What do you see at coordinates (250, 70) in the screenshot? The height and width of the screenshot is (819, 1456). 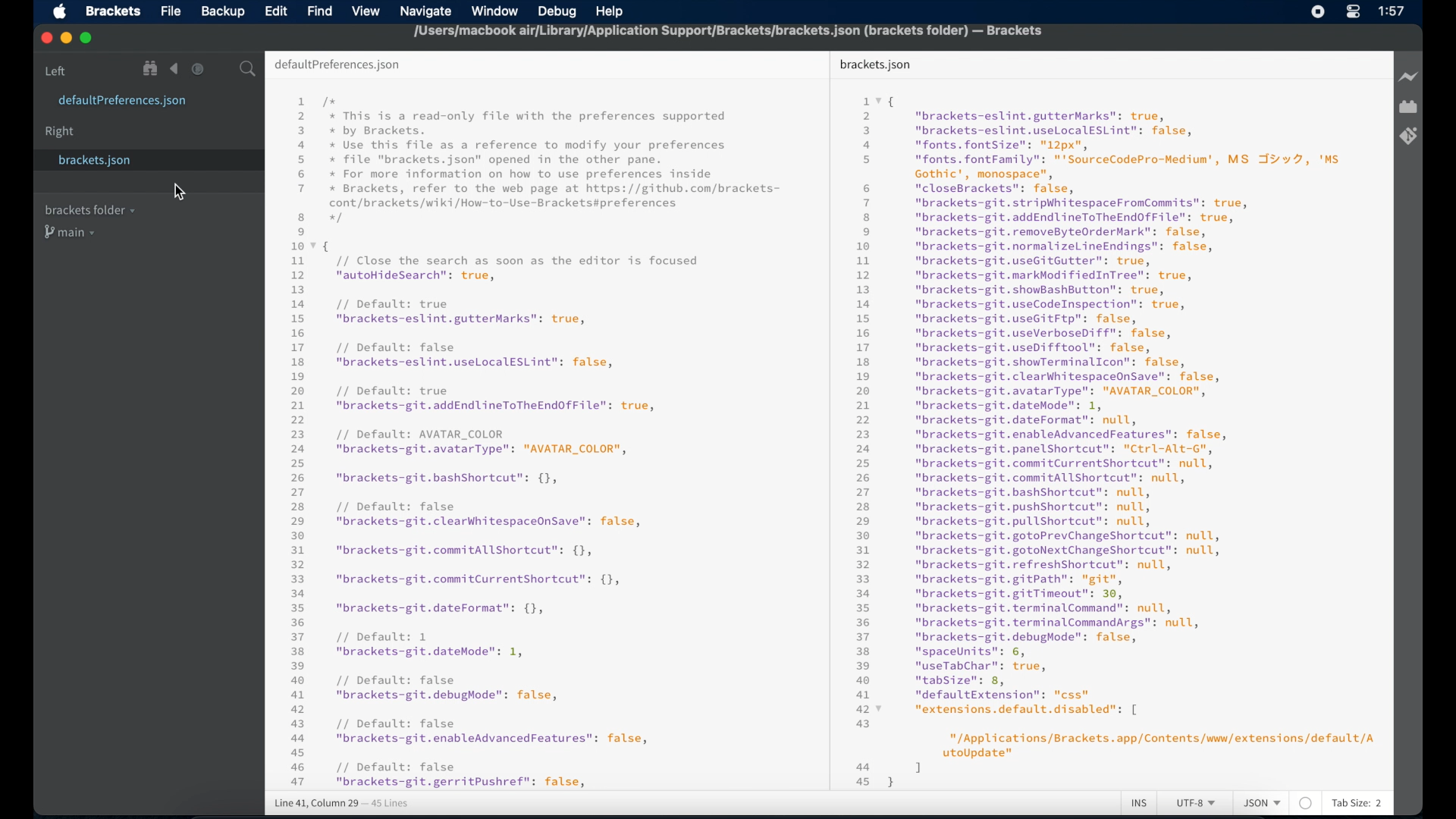 I see `search icon` at bounding box center [250, 70].